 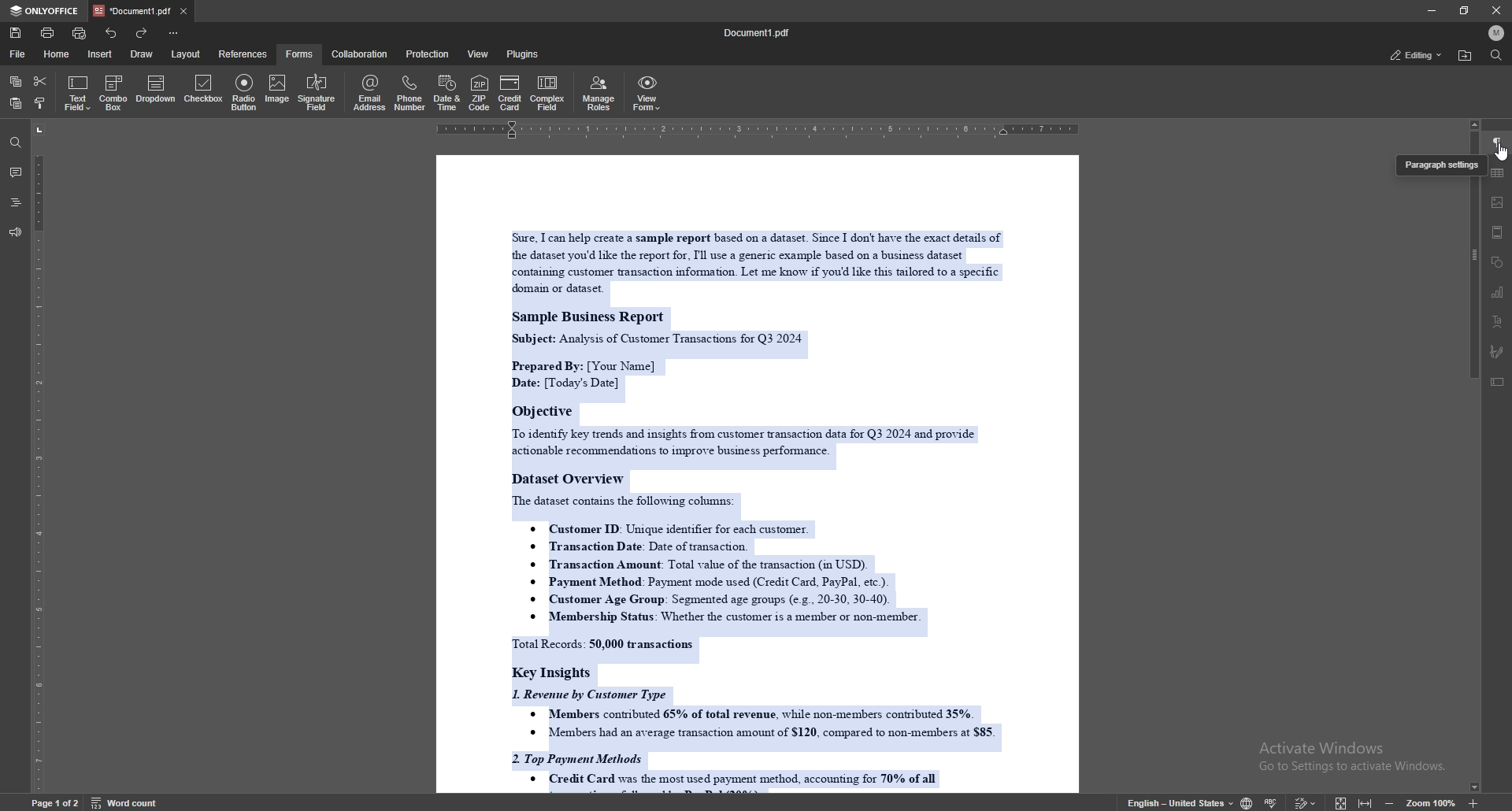 What do you see at coordinates (1496, 322) in the screenshot?
I see `text art` at bounding box center [1496, 322].